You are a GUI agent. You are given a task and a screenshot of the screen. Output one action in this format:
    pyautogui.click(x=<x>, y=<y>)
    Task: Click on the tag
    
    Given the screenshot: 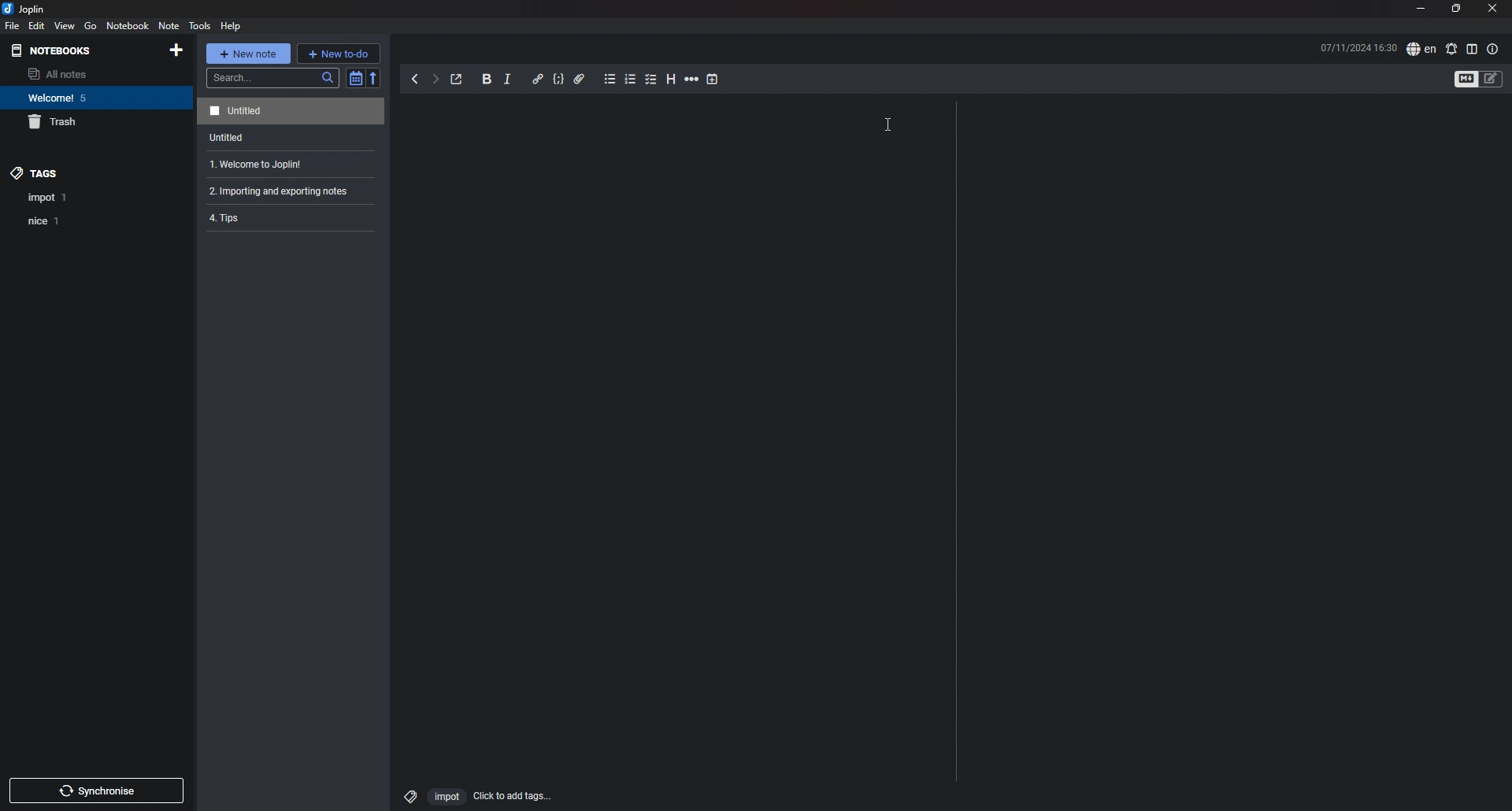 What is the action you would take?
    pyautogui.click(x=407, y=794)
    